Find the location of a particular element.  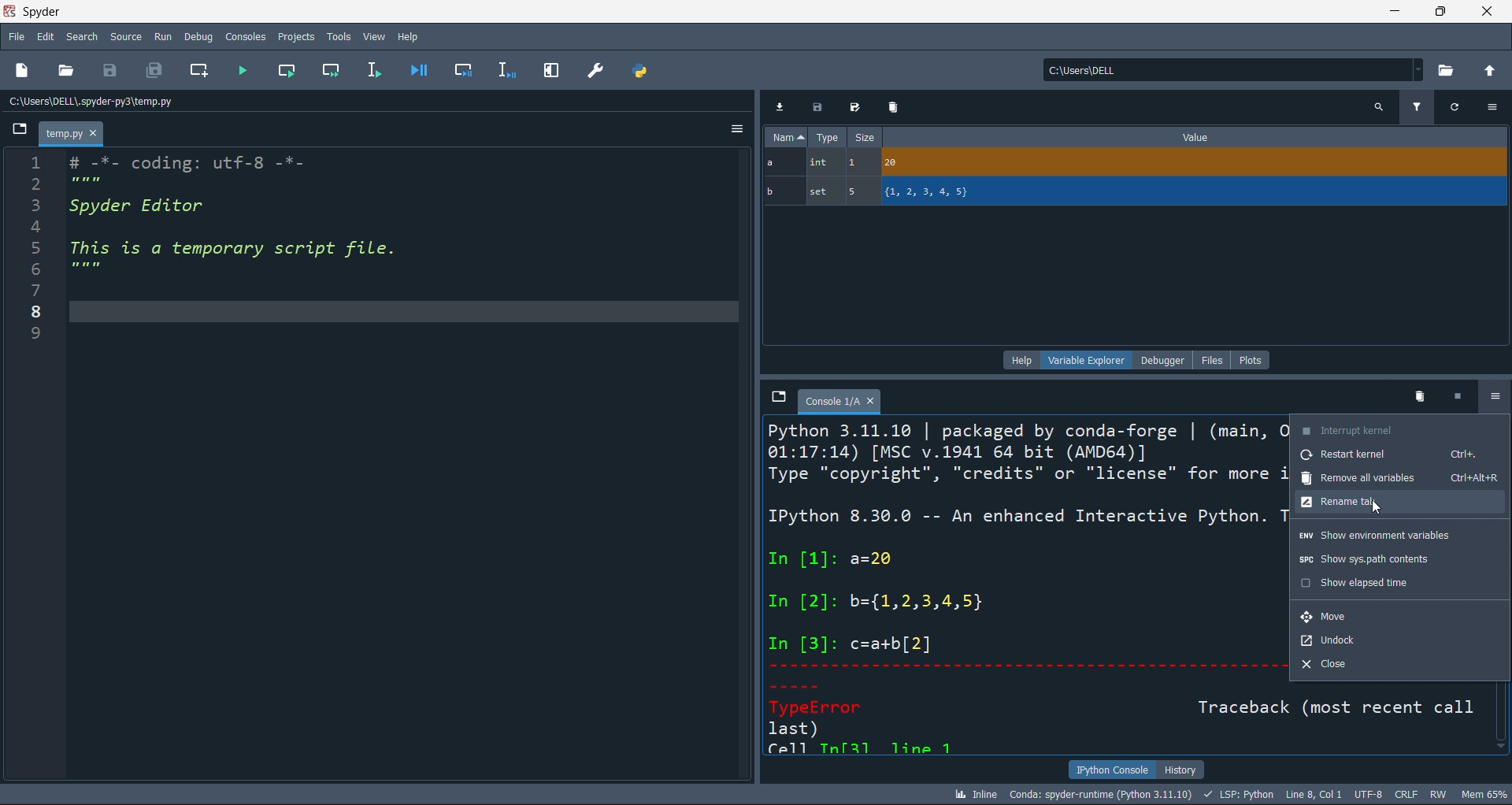

restart kernel is located at coordinates (1399, 457).